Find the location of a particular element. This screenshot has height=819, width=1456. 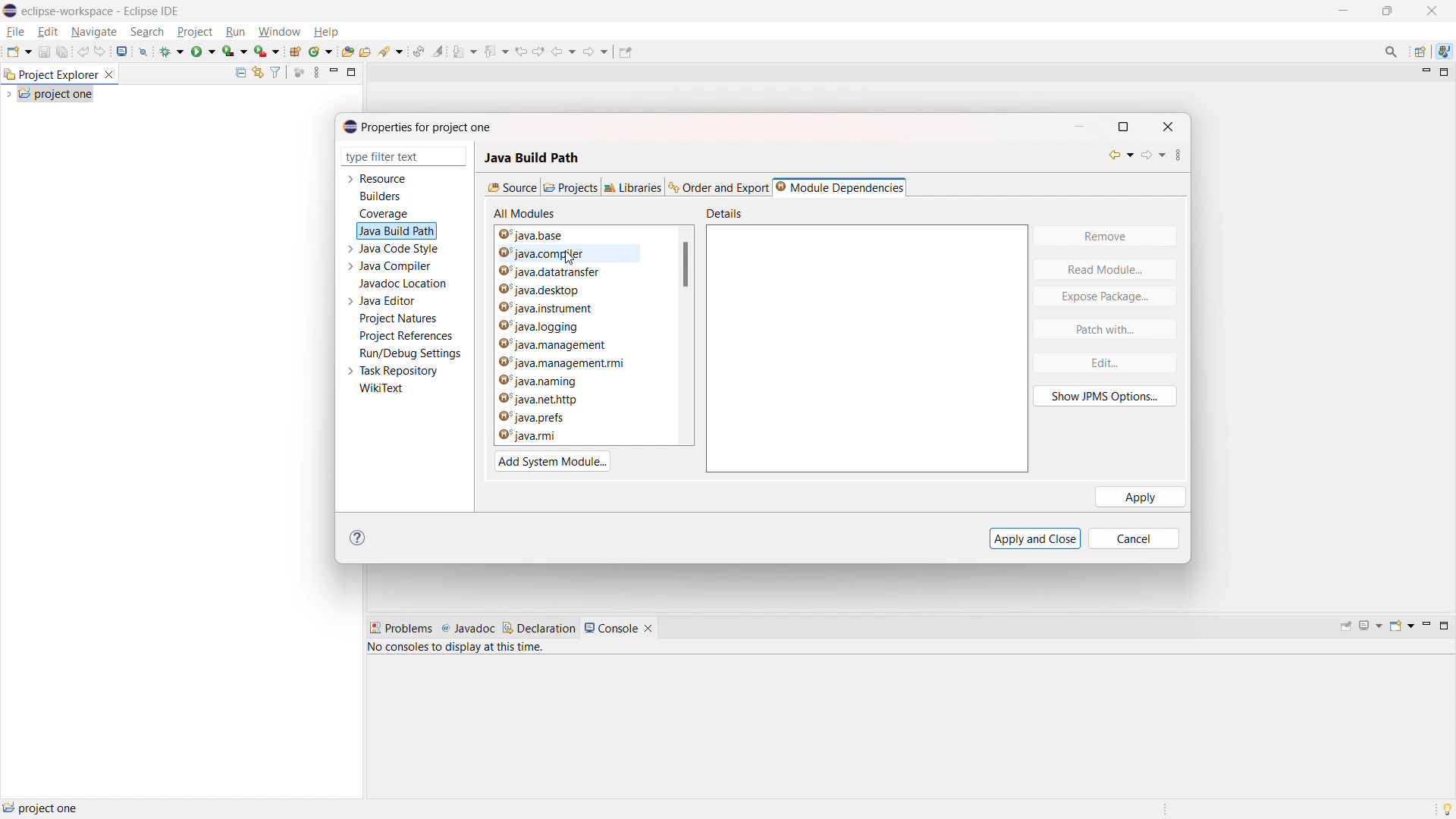

eclipse-workspace - Eclipse IDE is located at coordinates (101, 11).